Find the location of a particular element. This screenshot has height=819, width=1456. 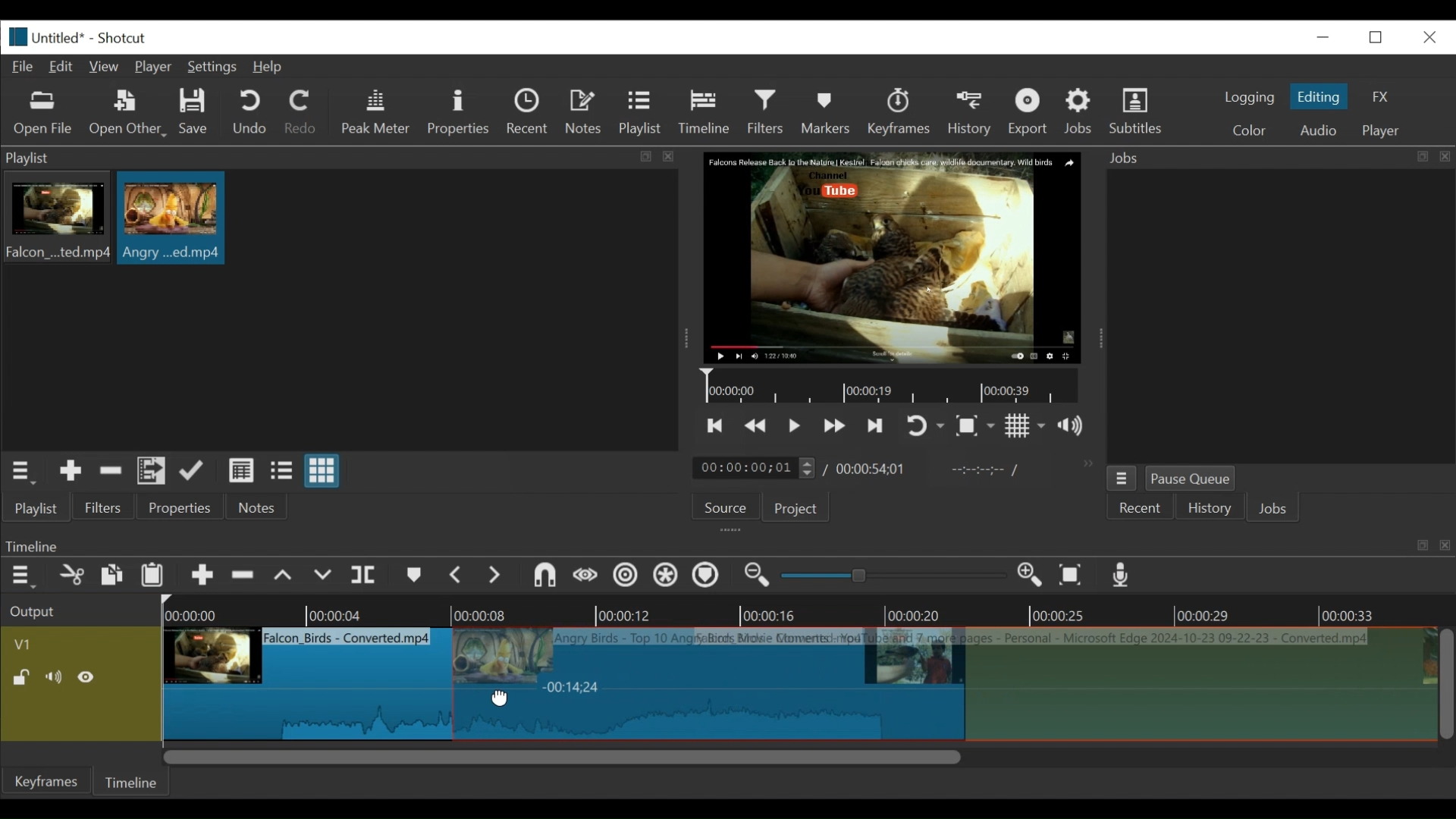

Subtitles is located at coordinates (1136, 111).